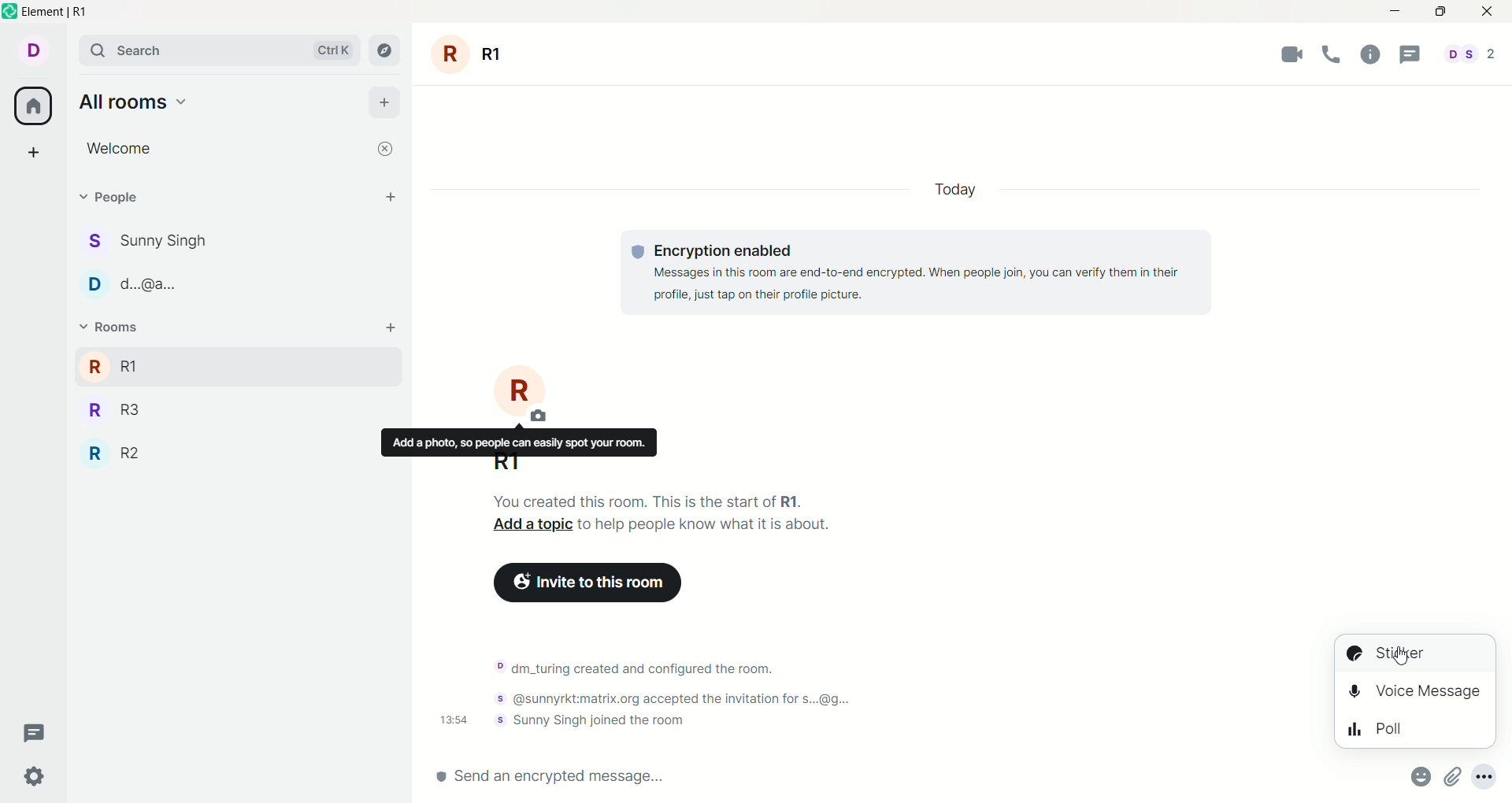  What do you see at coordinates (634, 668) in the screenshot?
I see `Notification` at bounding box center [634, 668].